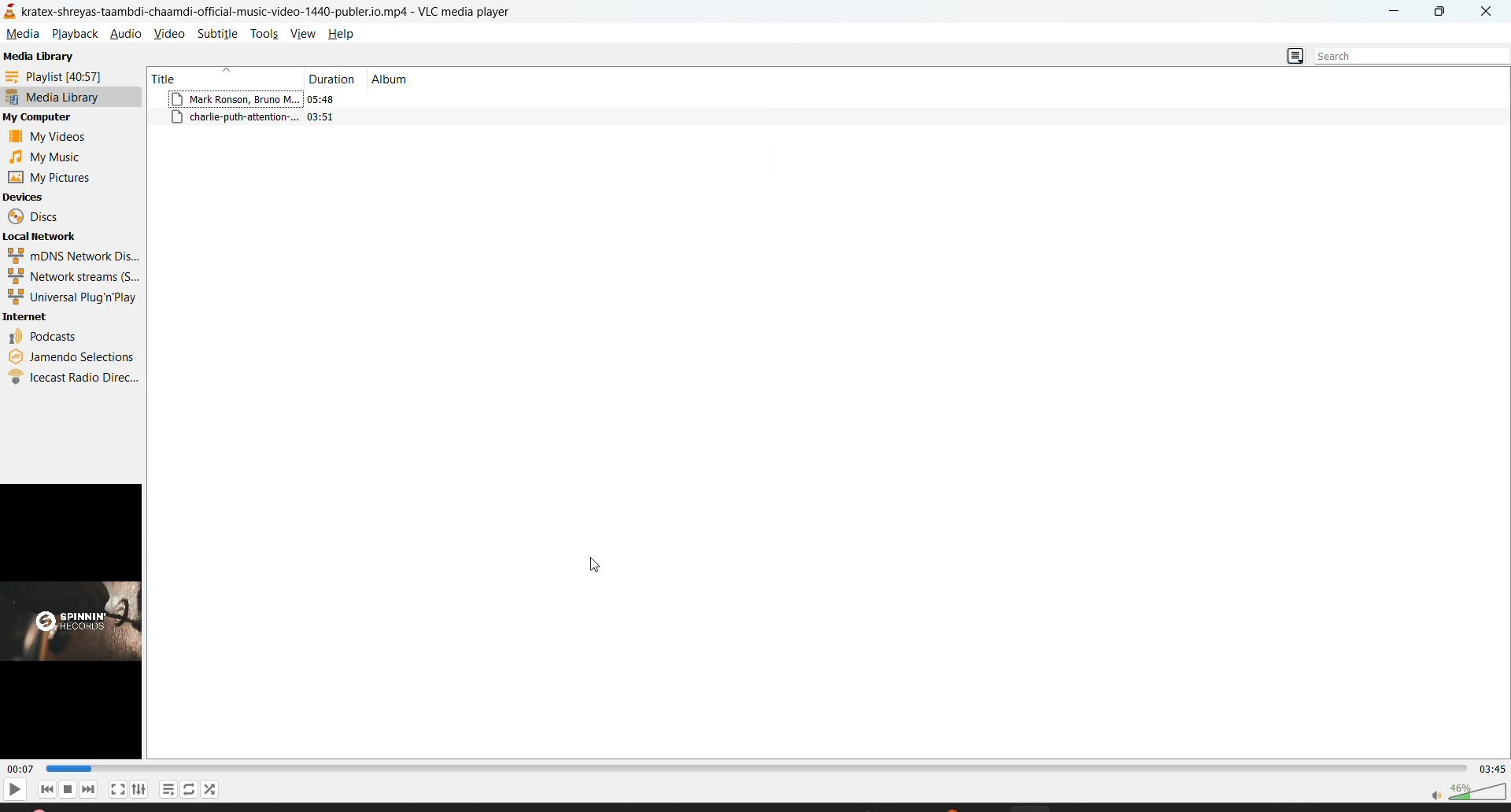  I want to click on settings, so click(138, 789).